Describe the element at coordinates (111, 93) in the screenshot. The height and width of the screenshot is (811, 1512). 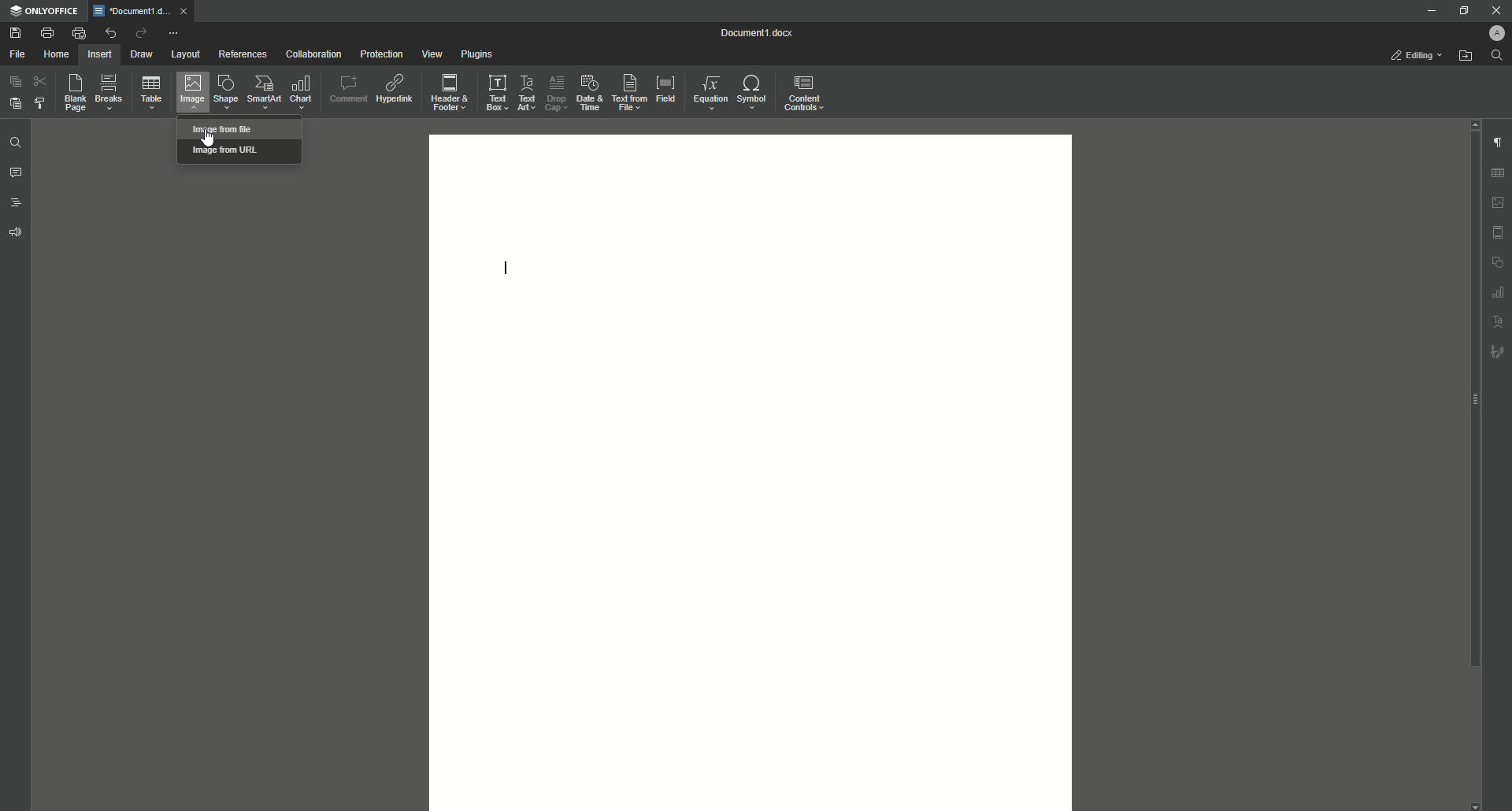
I see `Breaks` at that location.